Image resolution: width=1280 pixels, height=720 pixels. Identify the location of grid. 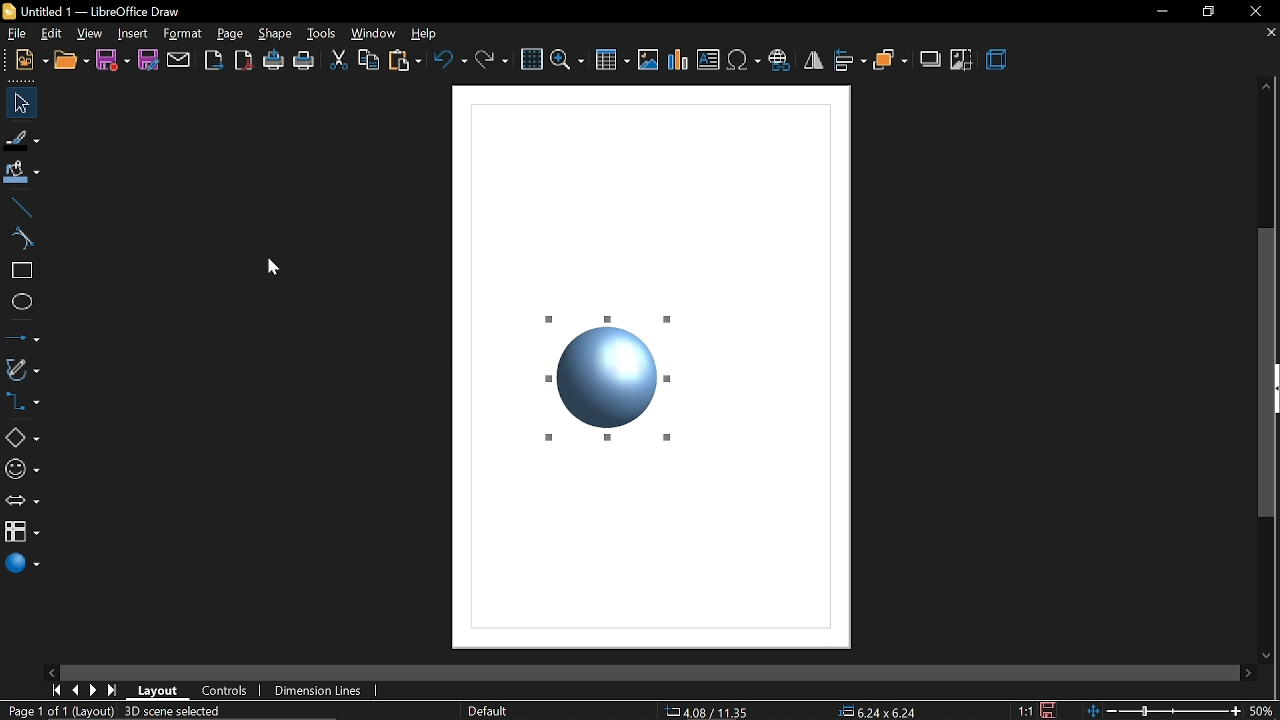
(531, 58).